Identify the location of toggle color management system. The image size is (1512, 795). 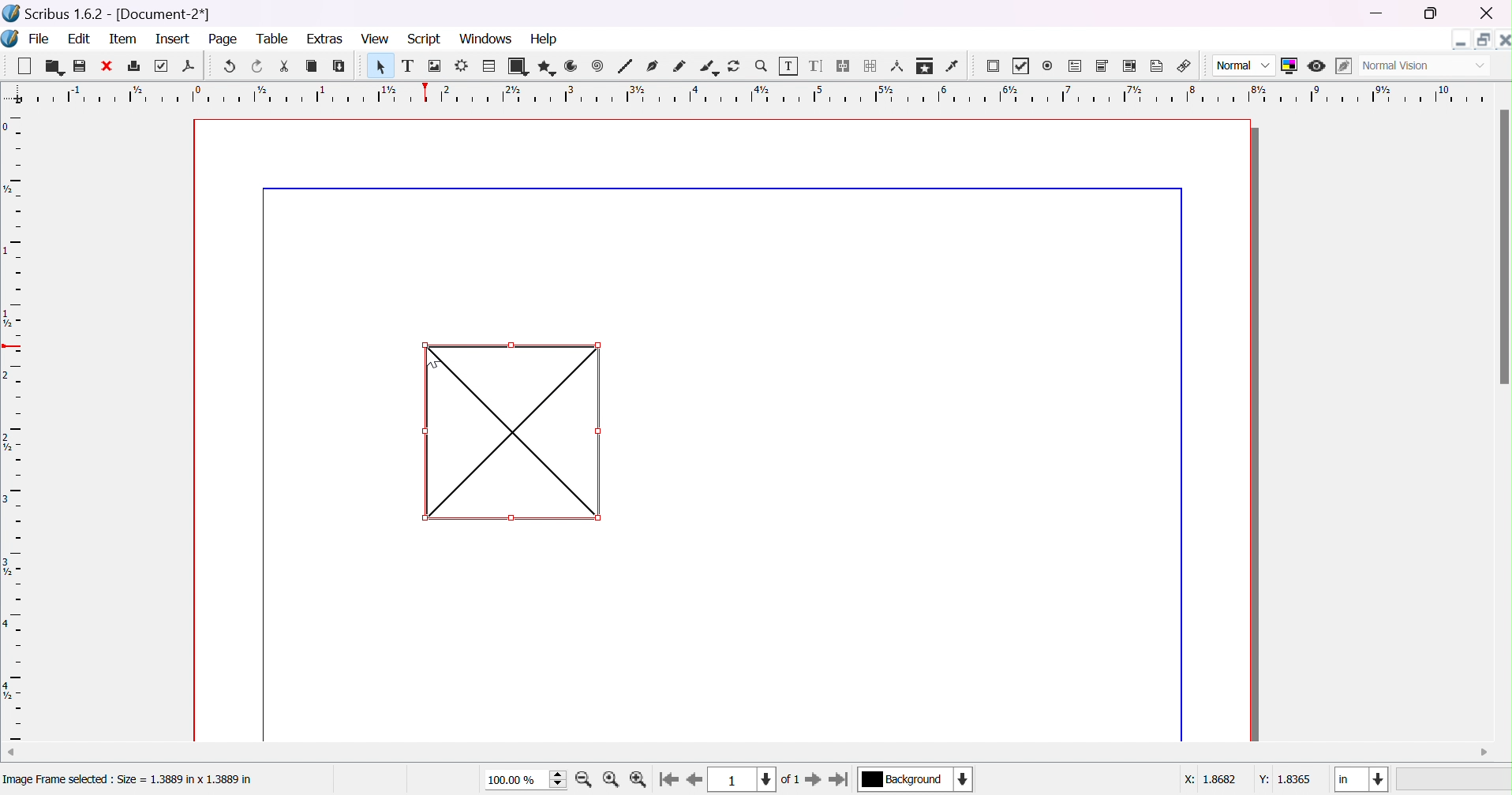
(1290, 65).